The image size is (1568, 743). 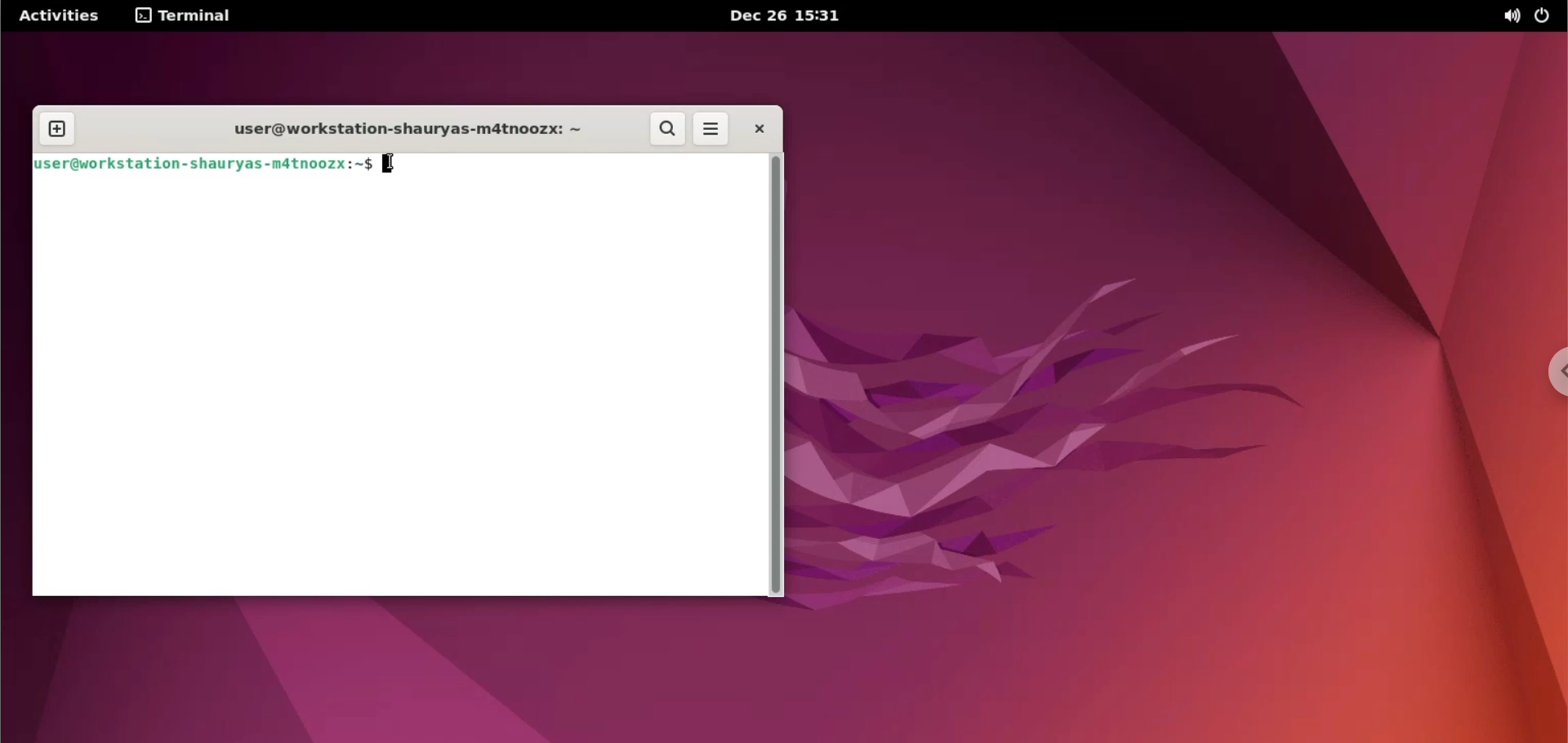 I want to click on Activities, so click(x=61, y=15).